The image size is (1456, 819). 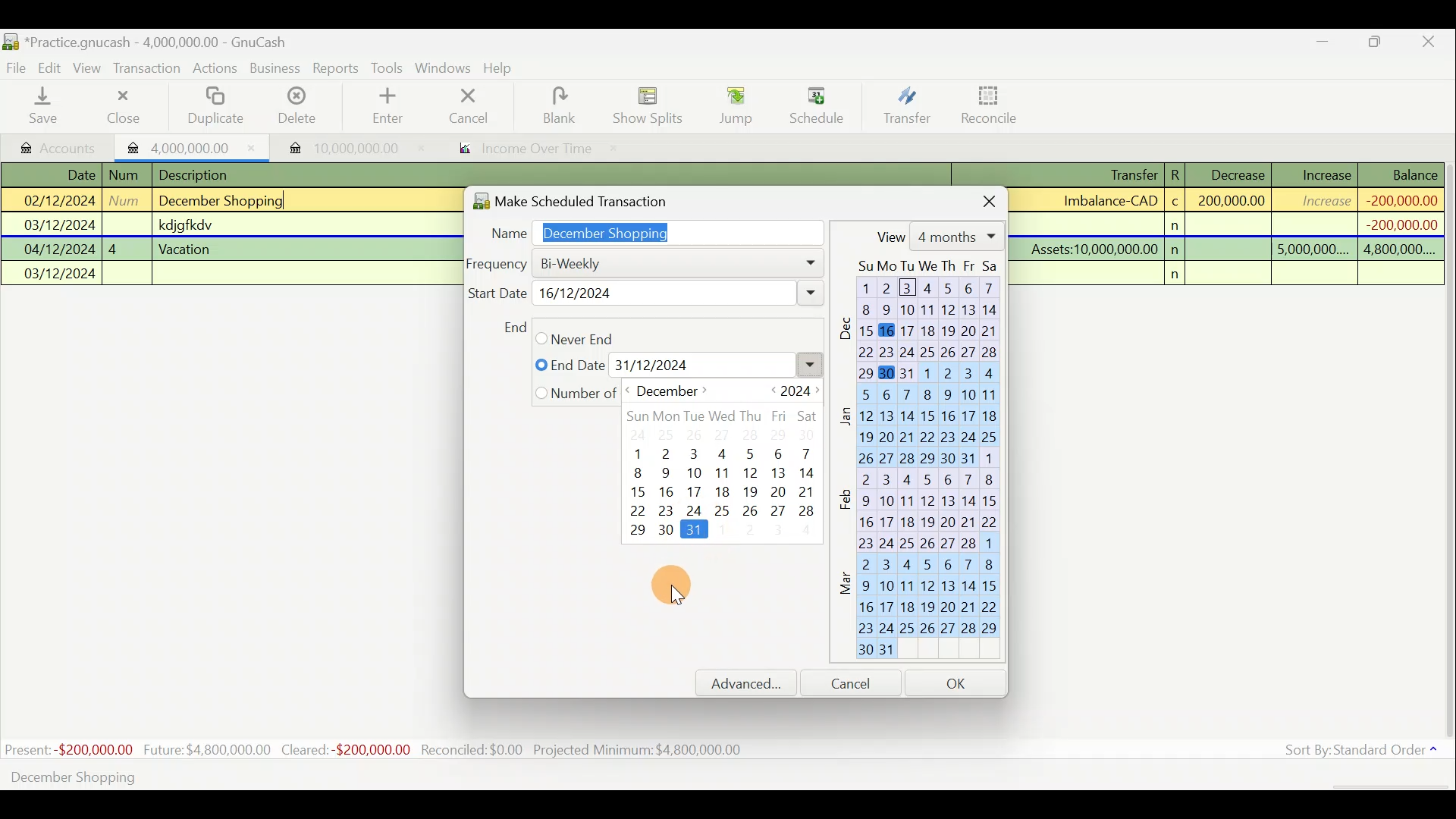 I want to click on Transaction details, so click(x=1235, y=224).